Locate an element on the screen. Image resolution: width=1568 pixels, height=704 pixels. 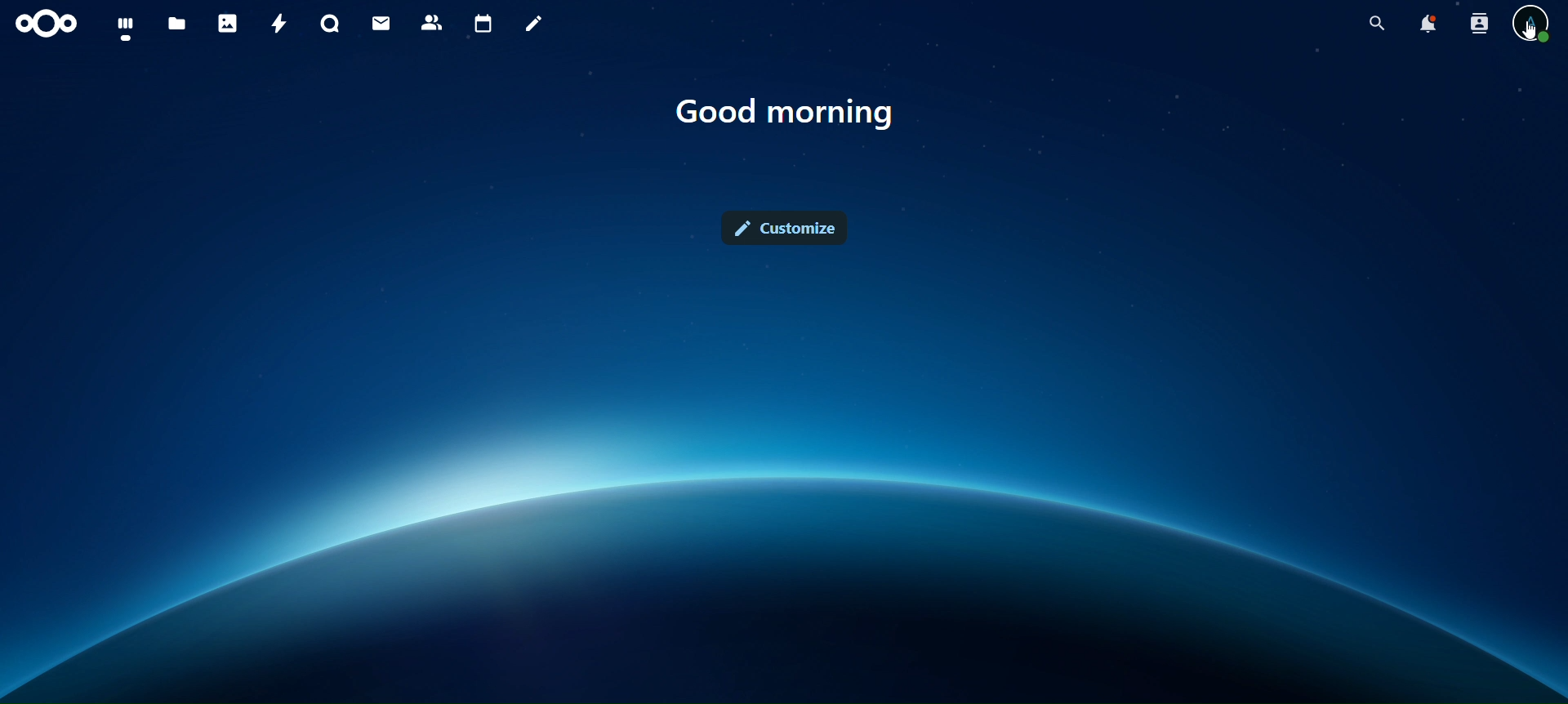
notes is located at coordinates (536, 25).